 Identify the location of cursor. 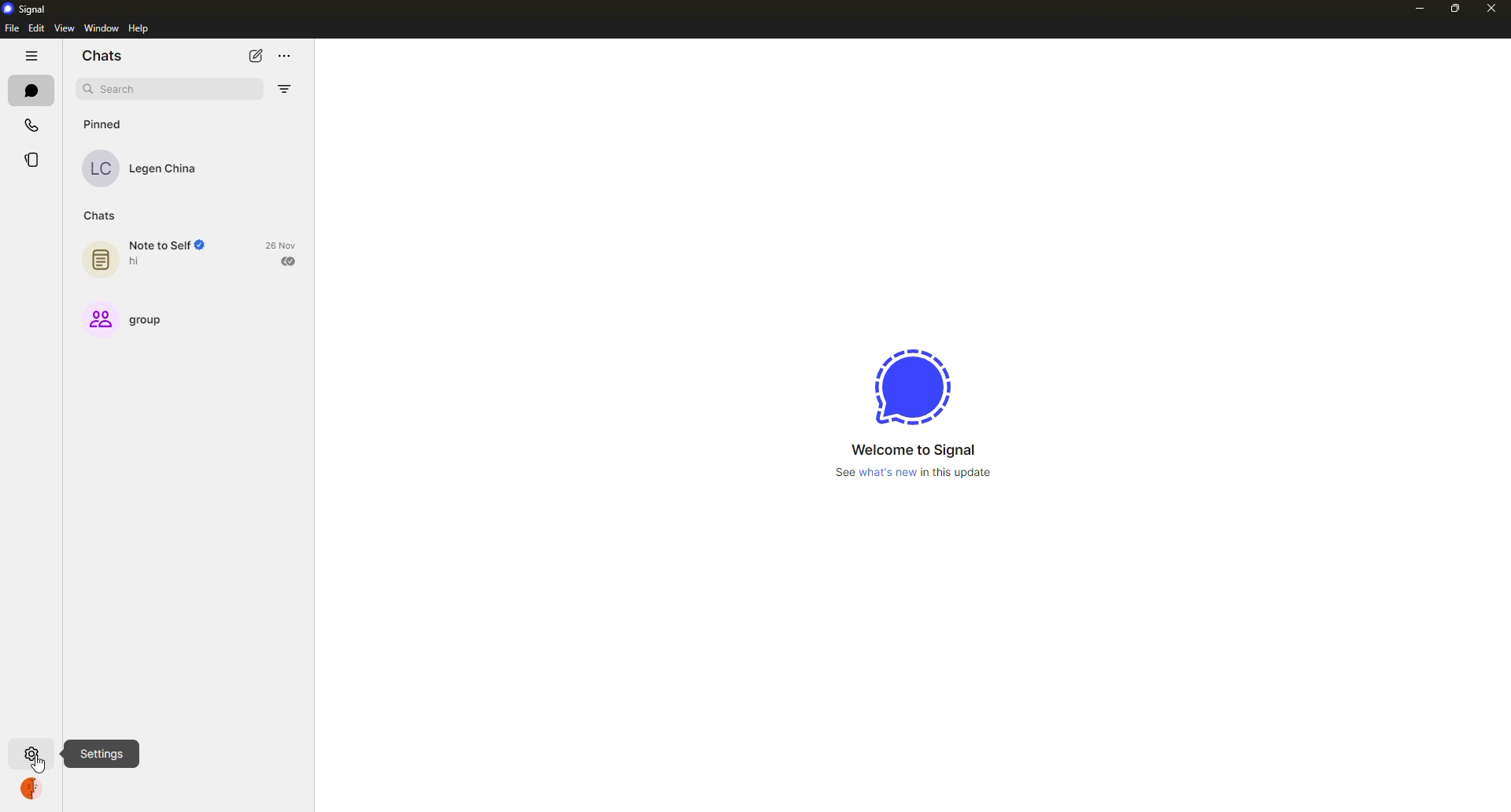
(40, 766).